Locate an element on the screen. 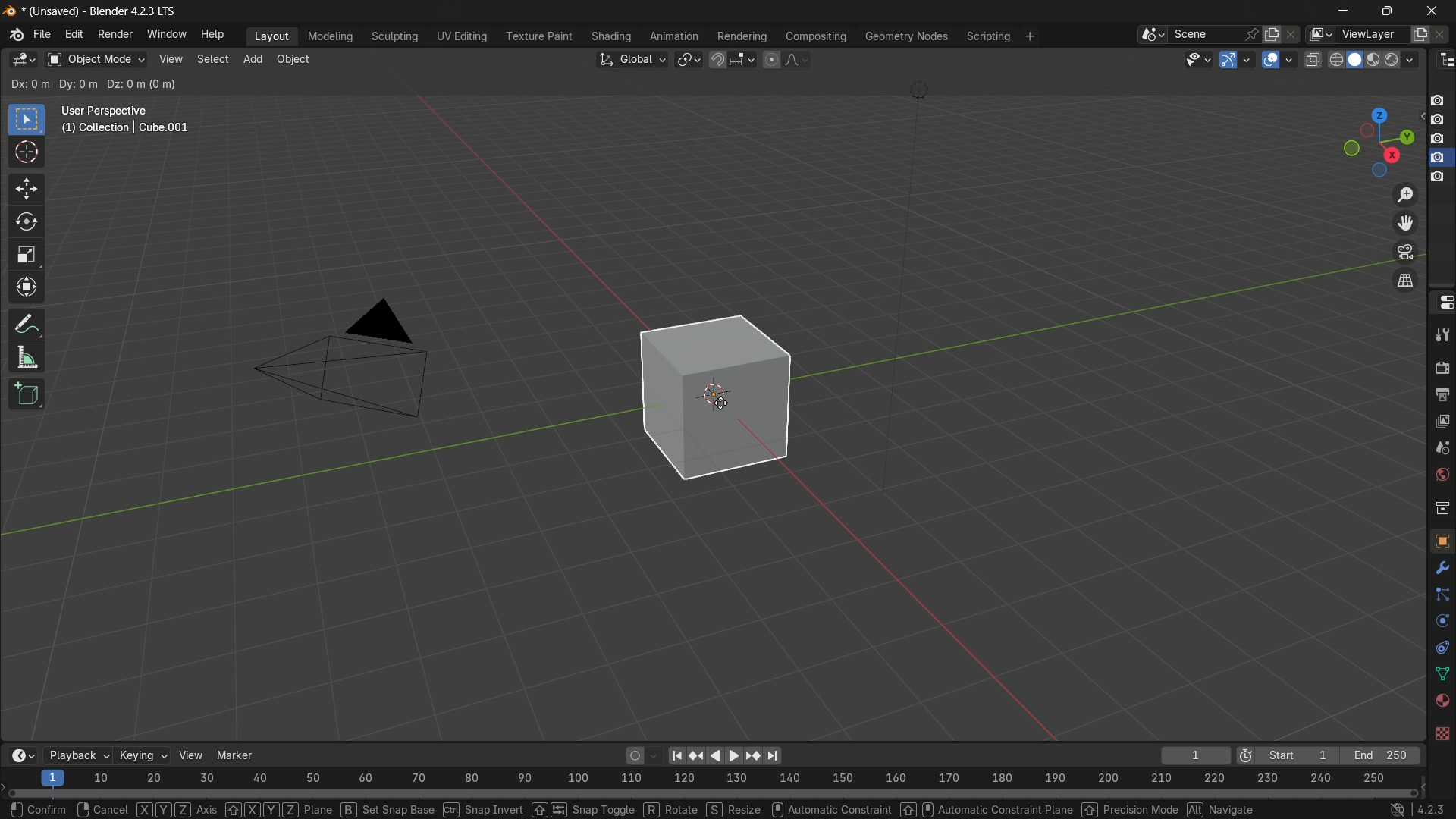 Image resolution: width=1456 pixels, height=819 pixels. Select is located at coordinates (33, 808).